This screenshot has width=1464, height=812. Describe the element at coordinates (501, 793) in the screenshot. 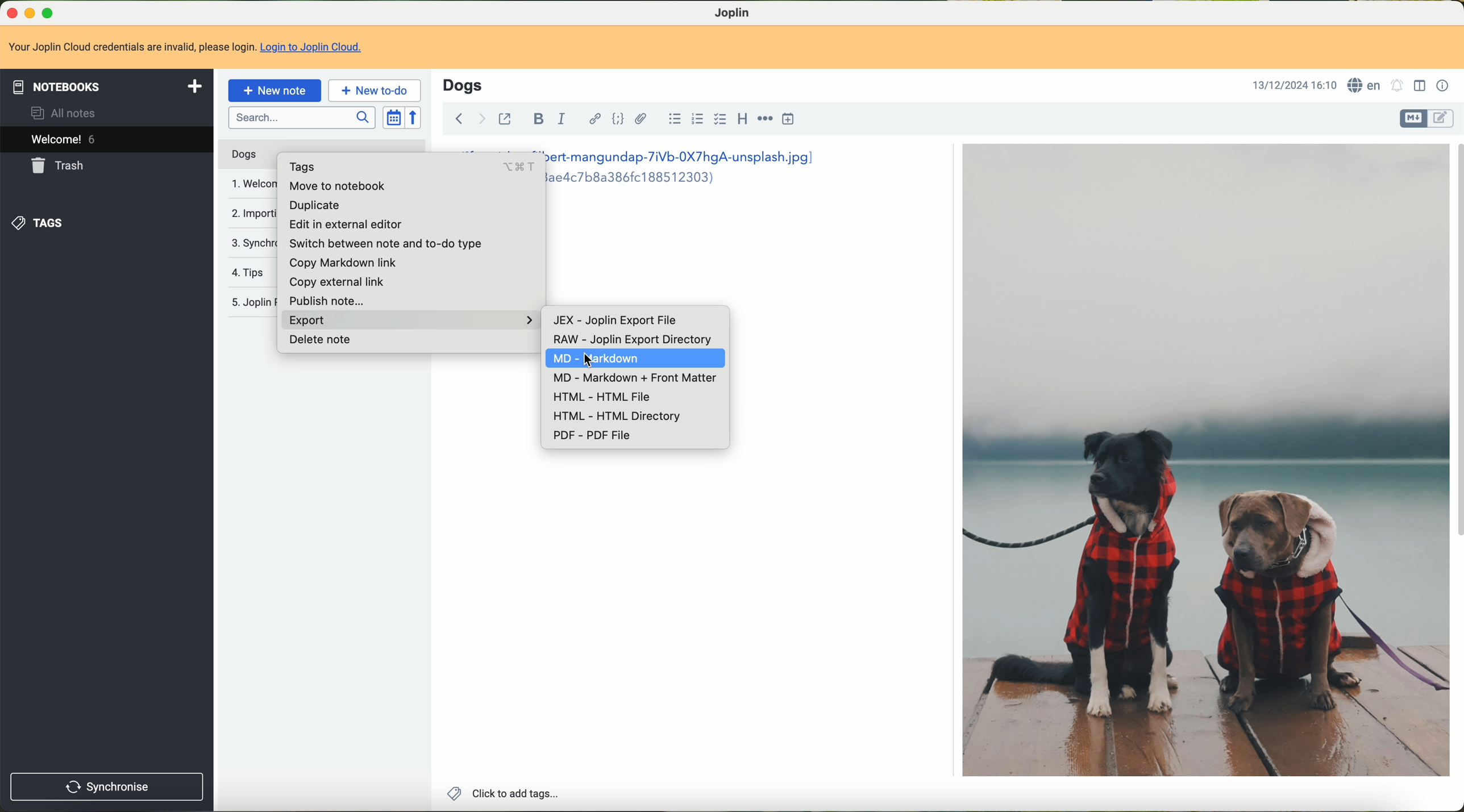

I see `click to add tags` at that location.